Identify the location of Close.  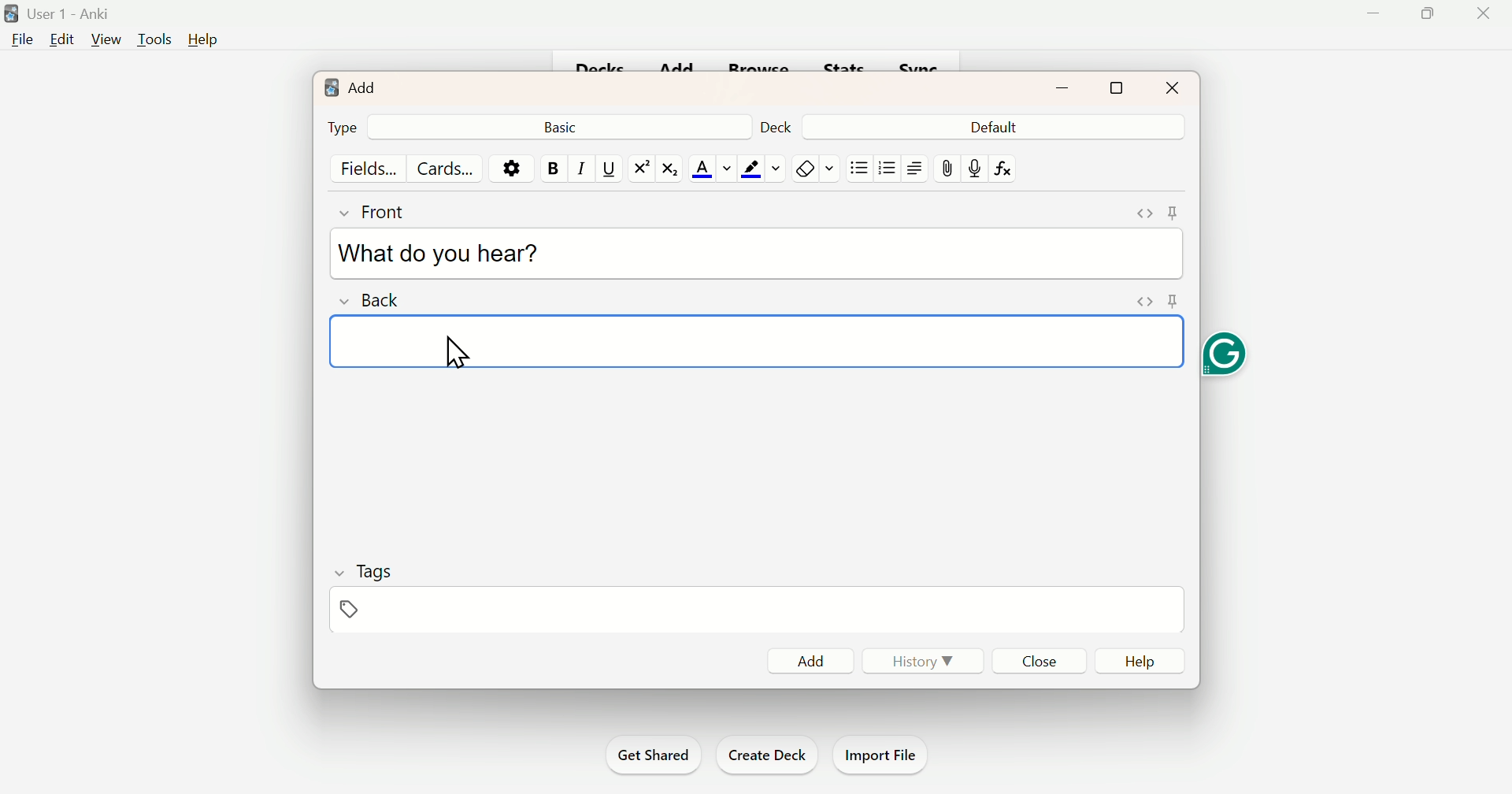
(1484, 13).